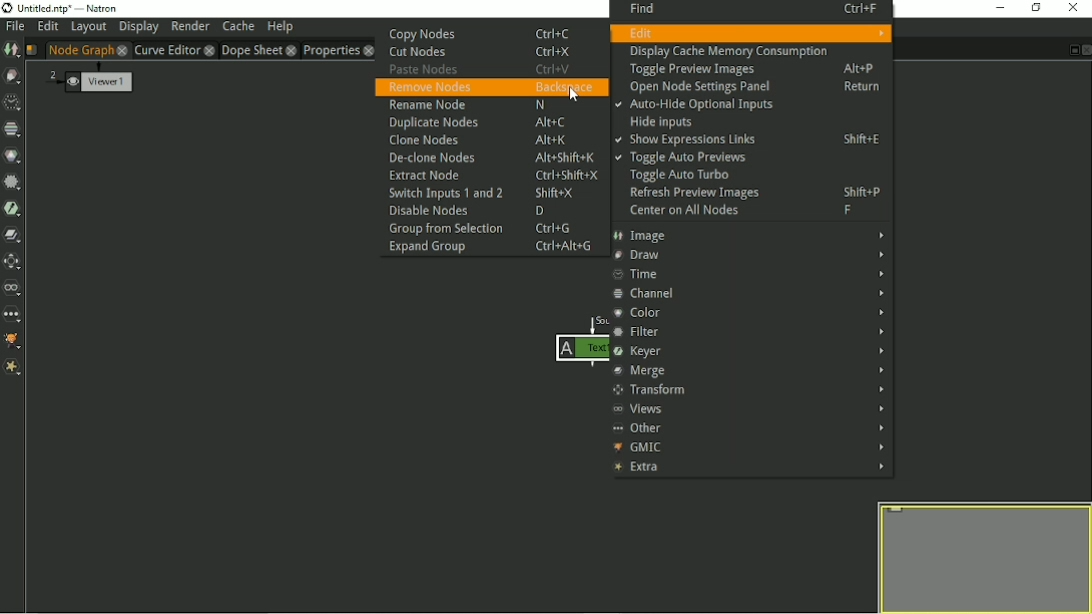 The height and width of the screenshot is (614, 1092). What do you see at coordinates (491, 176) in the screenshot?
I see `Extract Node` at bounding box center [491, 176].